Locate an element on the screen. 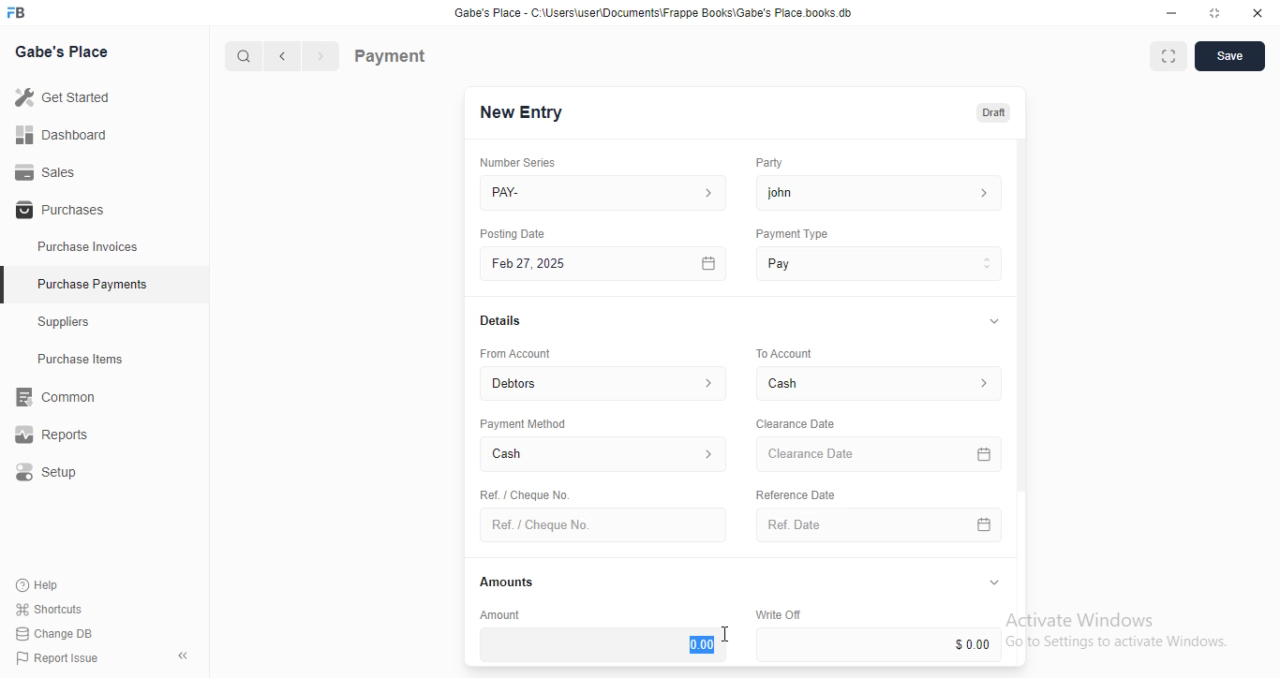  ‘Payment Method is located at coordinates (522, 423).